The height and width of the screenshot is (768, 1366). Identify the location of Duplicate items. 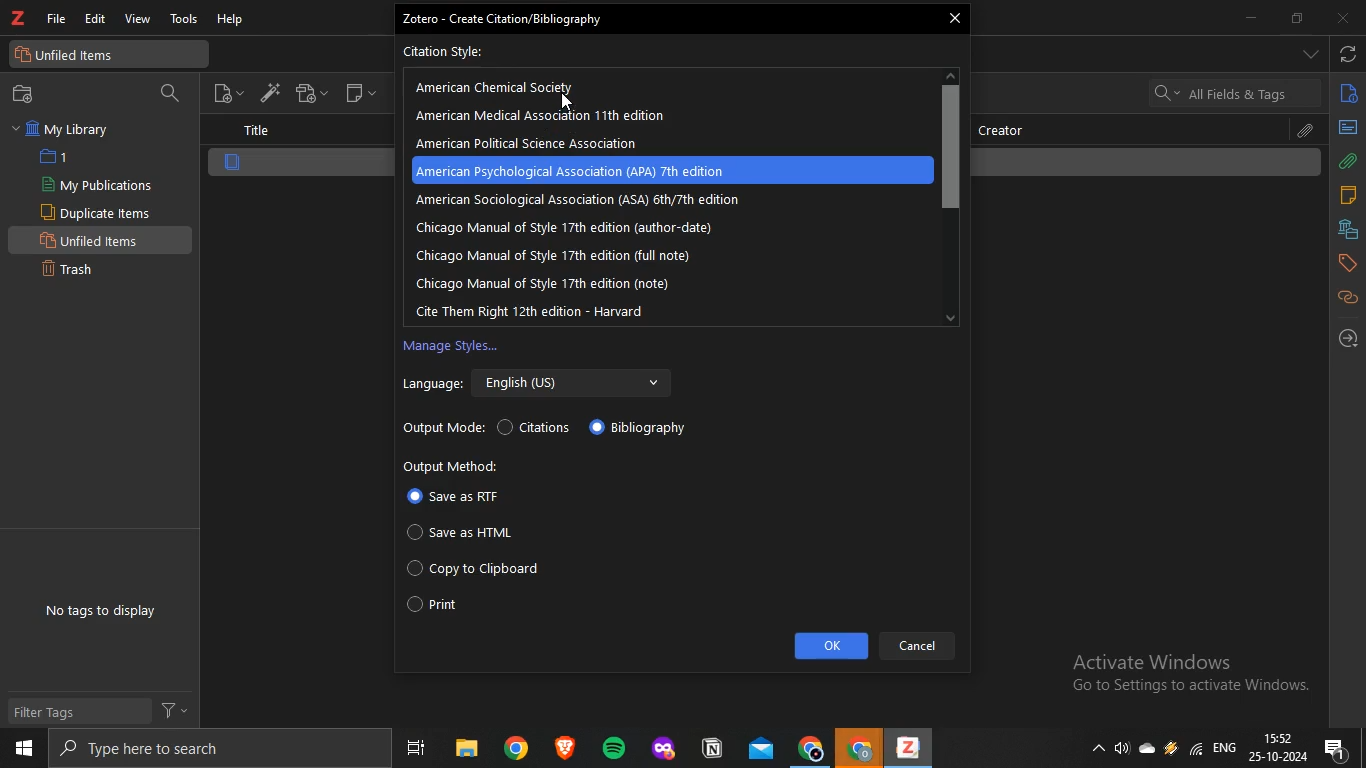
(97, 212).